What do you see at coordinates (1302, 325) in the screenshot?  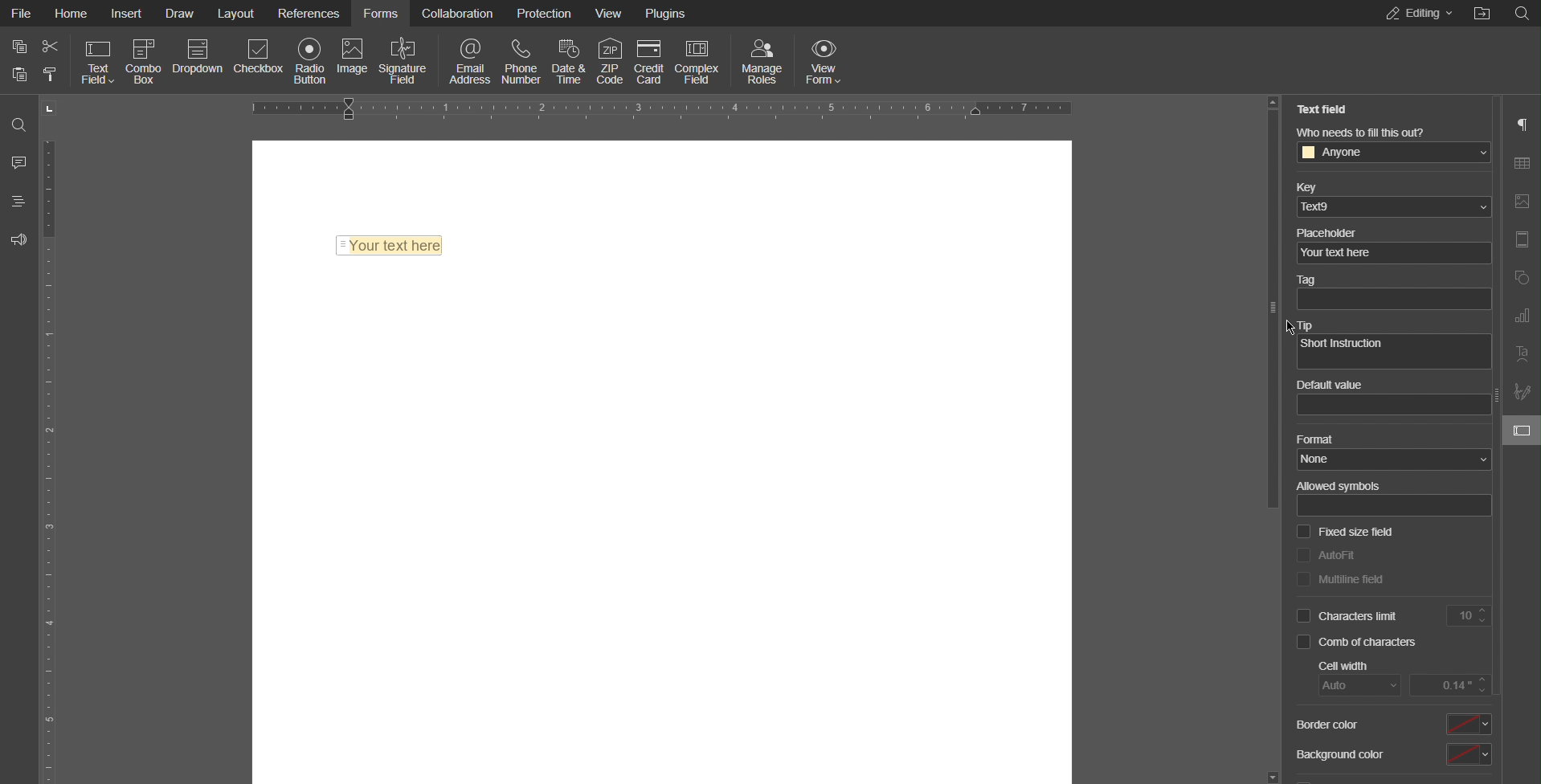 I see `Tip` at bounding box center [1302, 325].